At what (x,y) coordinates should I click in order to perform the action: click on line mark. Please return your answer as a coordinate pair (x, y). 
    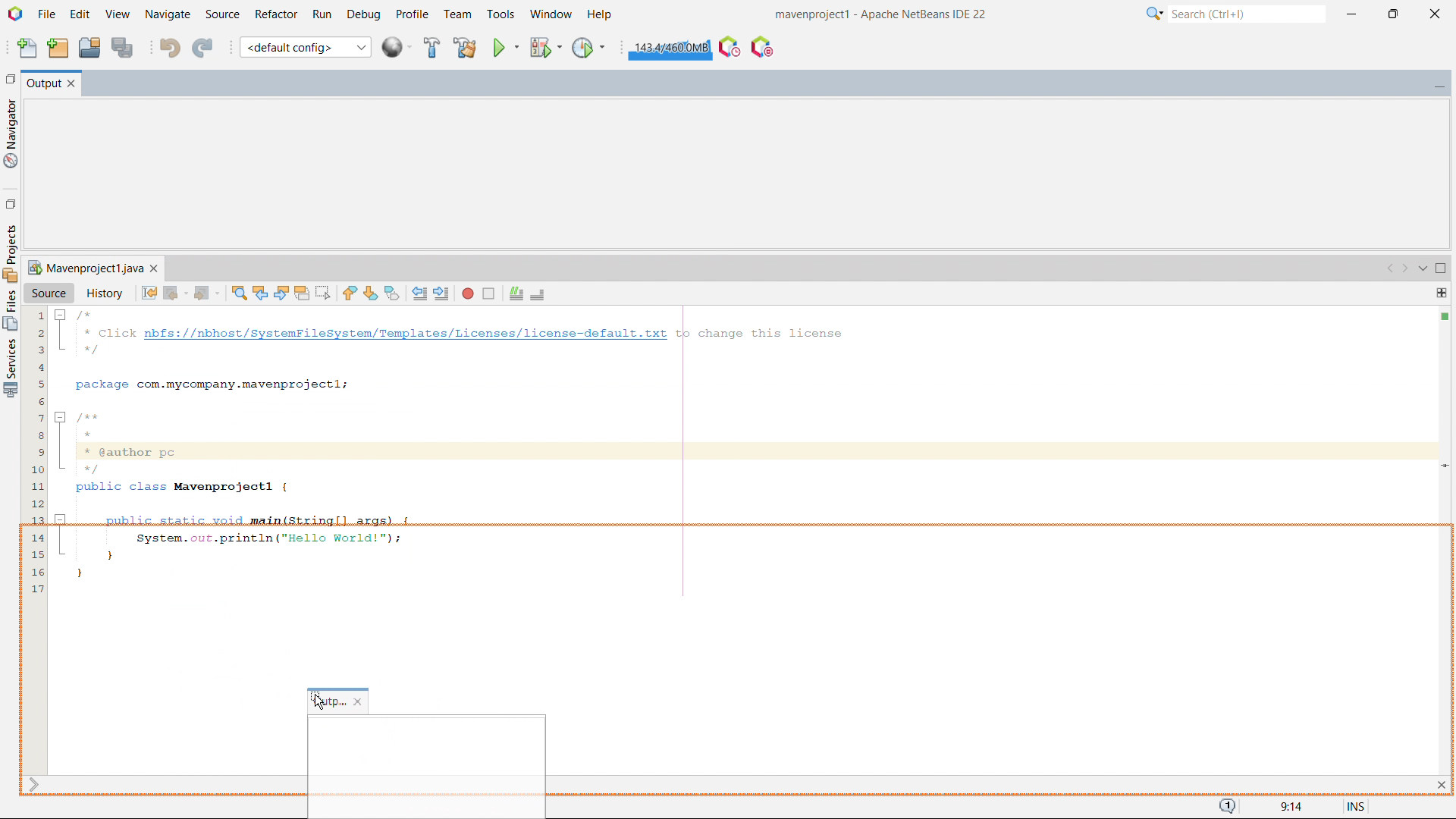
    Looking at the image, I should click on (1442, 465).